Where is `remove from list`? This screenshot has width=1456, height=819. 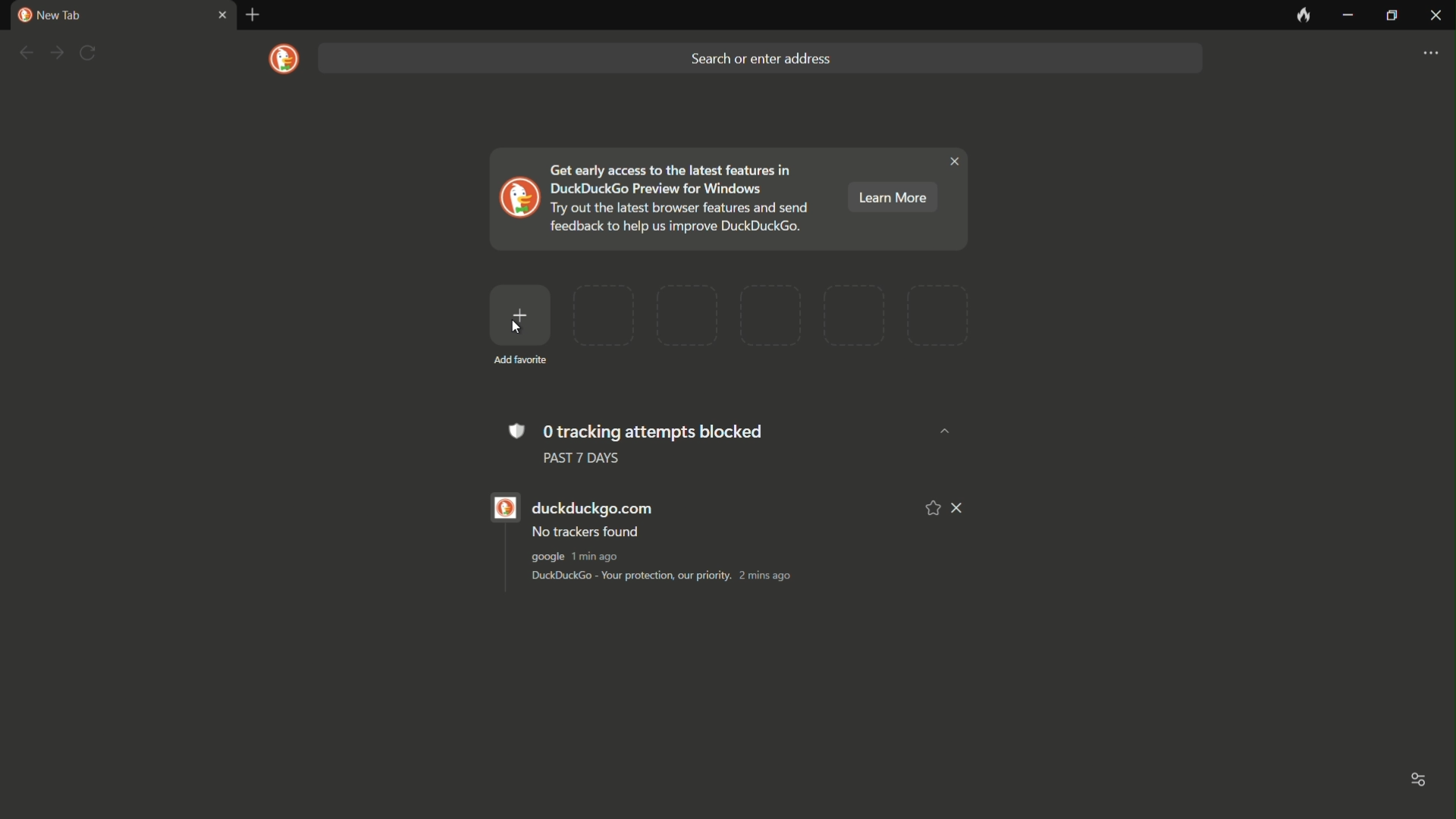 remove from list is located at coordinates (959, 508).